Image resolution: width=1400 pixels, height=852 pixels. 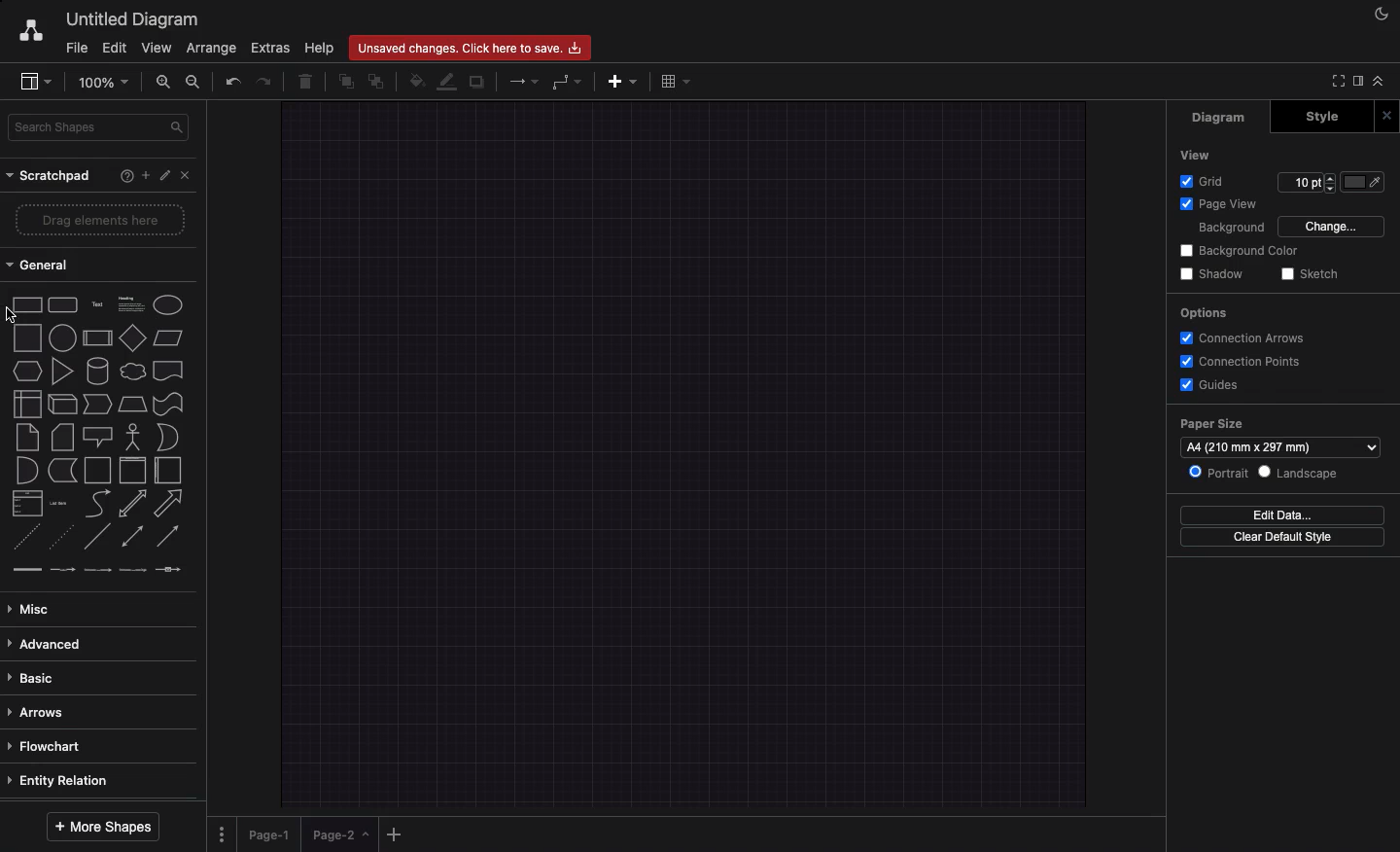 What do you see at coordinates (62, 778) in the screenshot?
I see `Entity relation` at bounding box center [62, 778].